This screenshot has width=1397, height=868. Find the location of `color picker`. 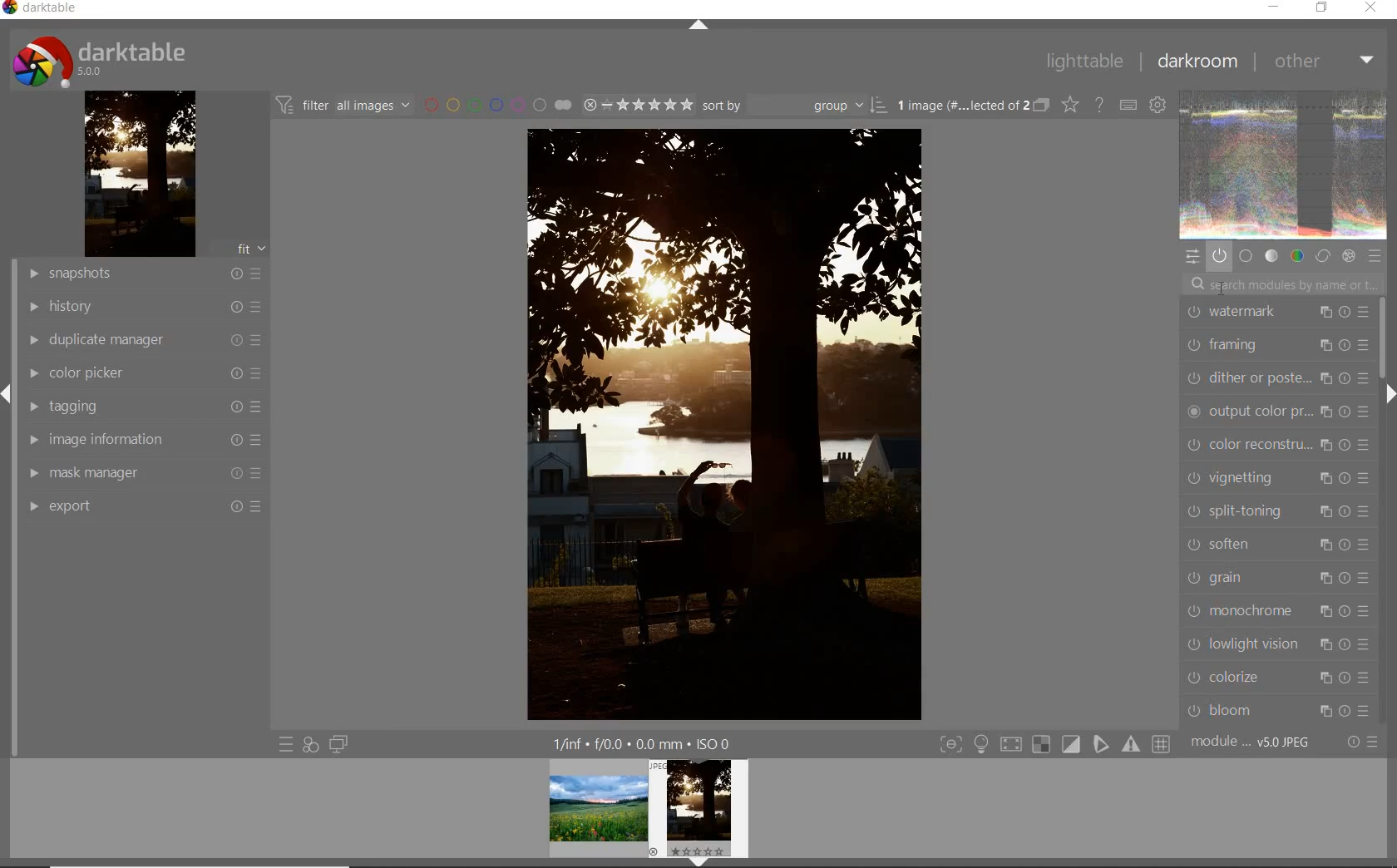

color picker is located at coordinates (140, 372).